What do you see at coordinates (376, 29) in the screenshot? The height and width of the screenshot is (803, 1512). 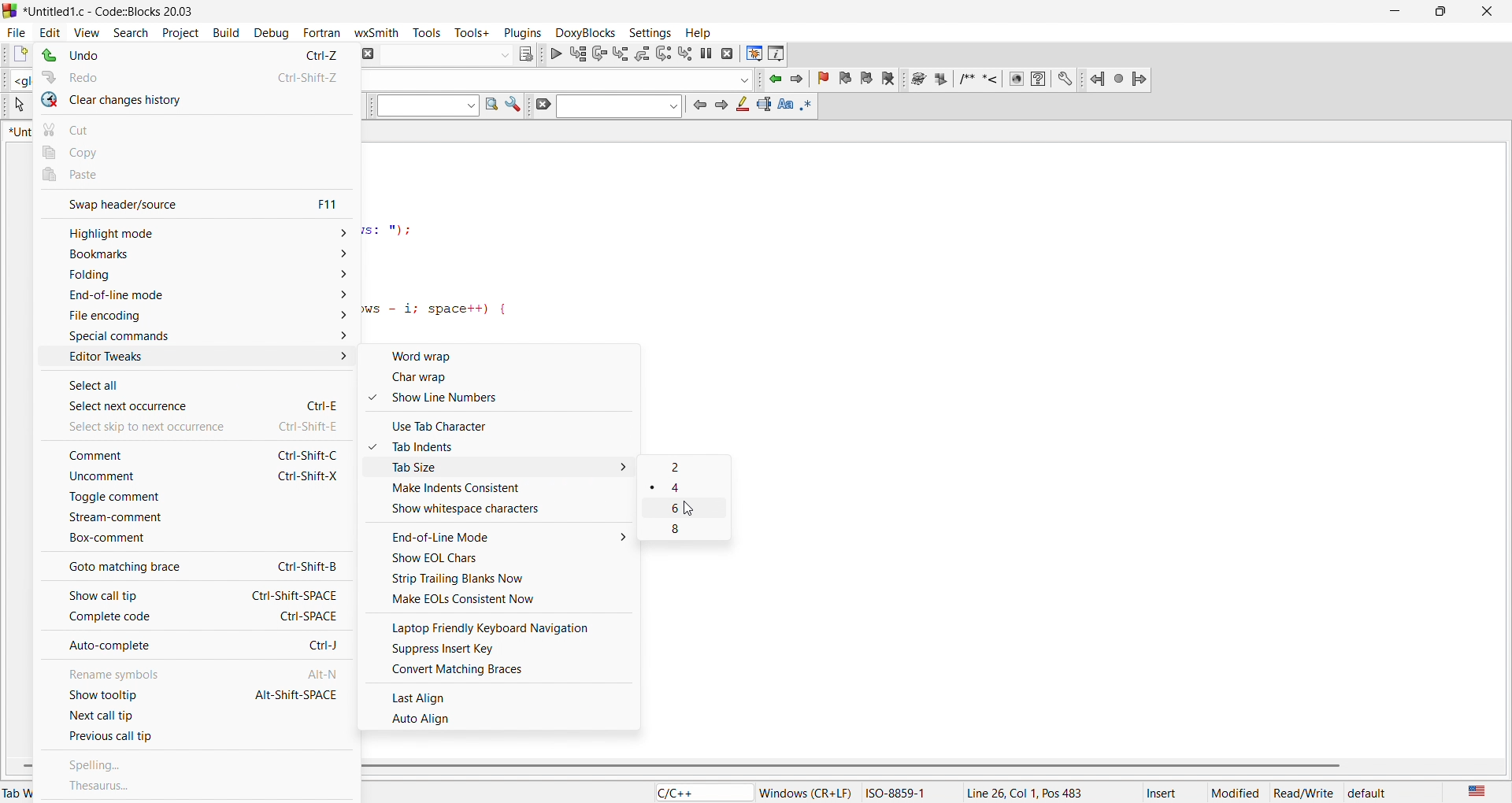 I see `wxsmith` at bounding box center [376, 29].